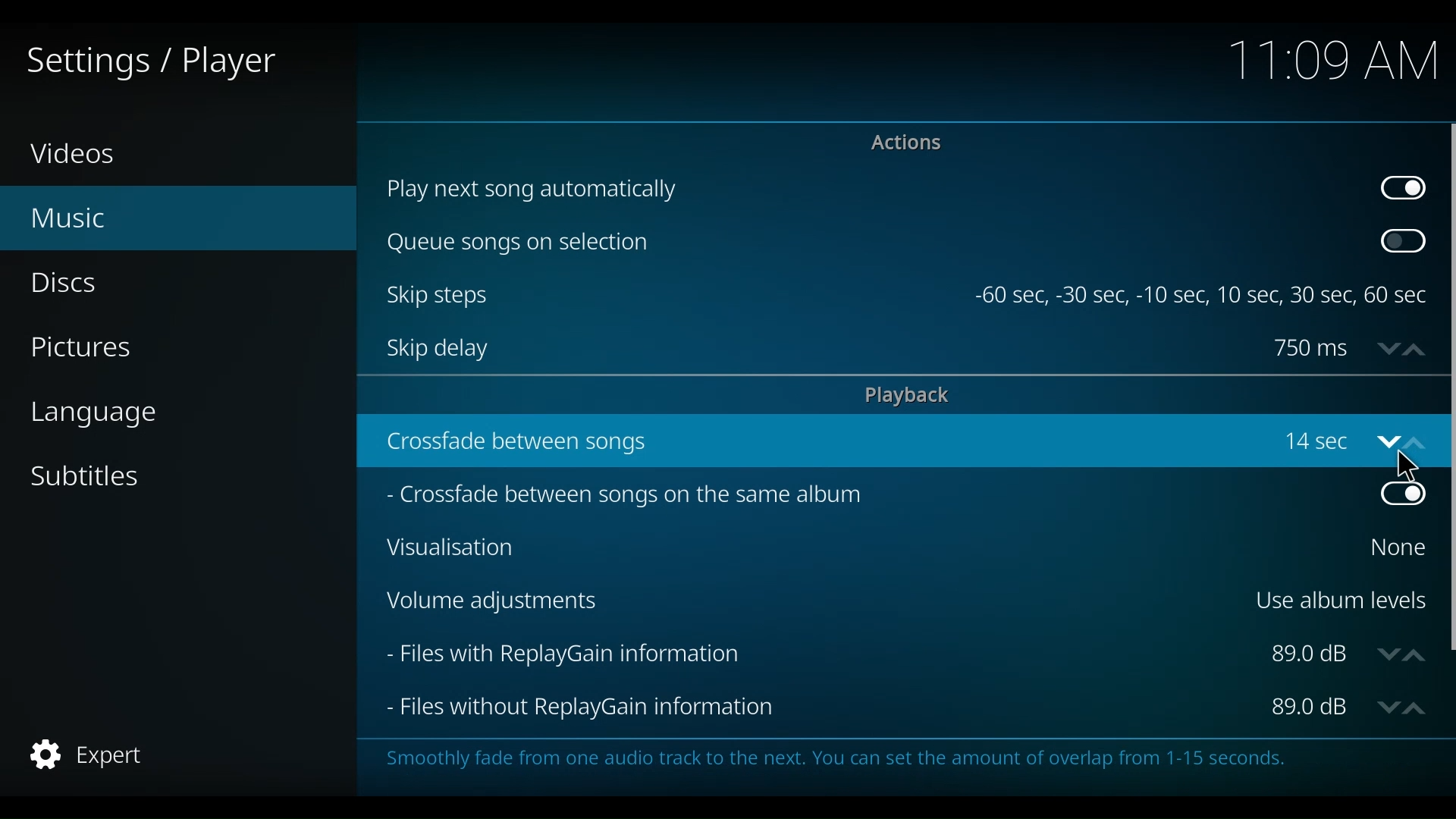  I want to click on up, so click(1417, 652).